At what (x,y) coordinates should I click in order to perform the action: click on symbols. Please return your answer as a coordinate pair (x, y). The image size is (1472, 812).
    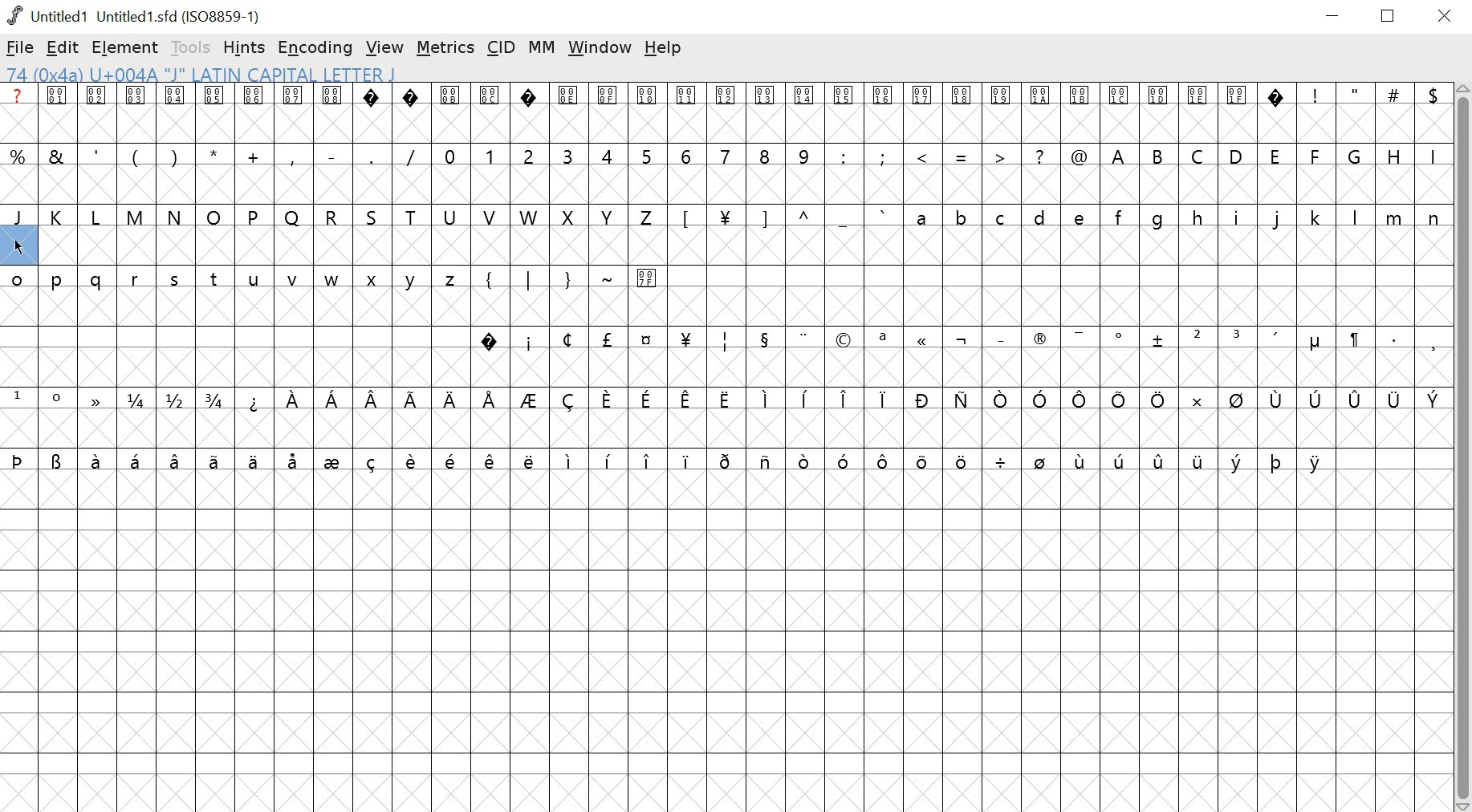
    Looking at the image, I should click on (671, 461).